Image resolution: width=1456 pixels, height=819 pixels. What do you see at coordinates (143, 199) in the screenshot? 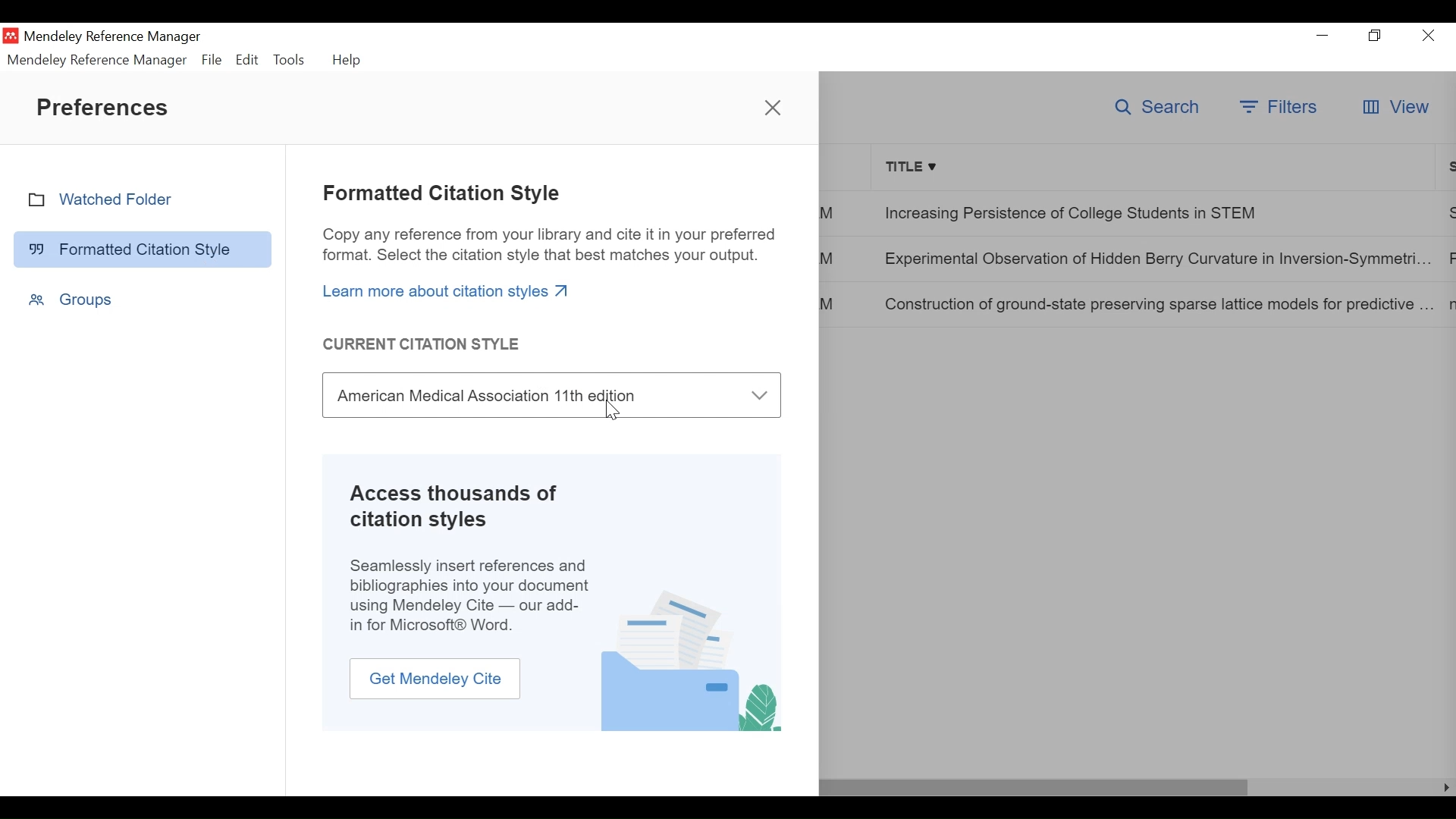
I see `Watched Folder` at bounding box center [143, 199].